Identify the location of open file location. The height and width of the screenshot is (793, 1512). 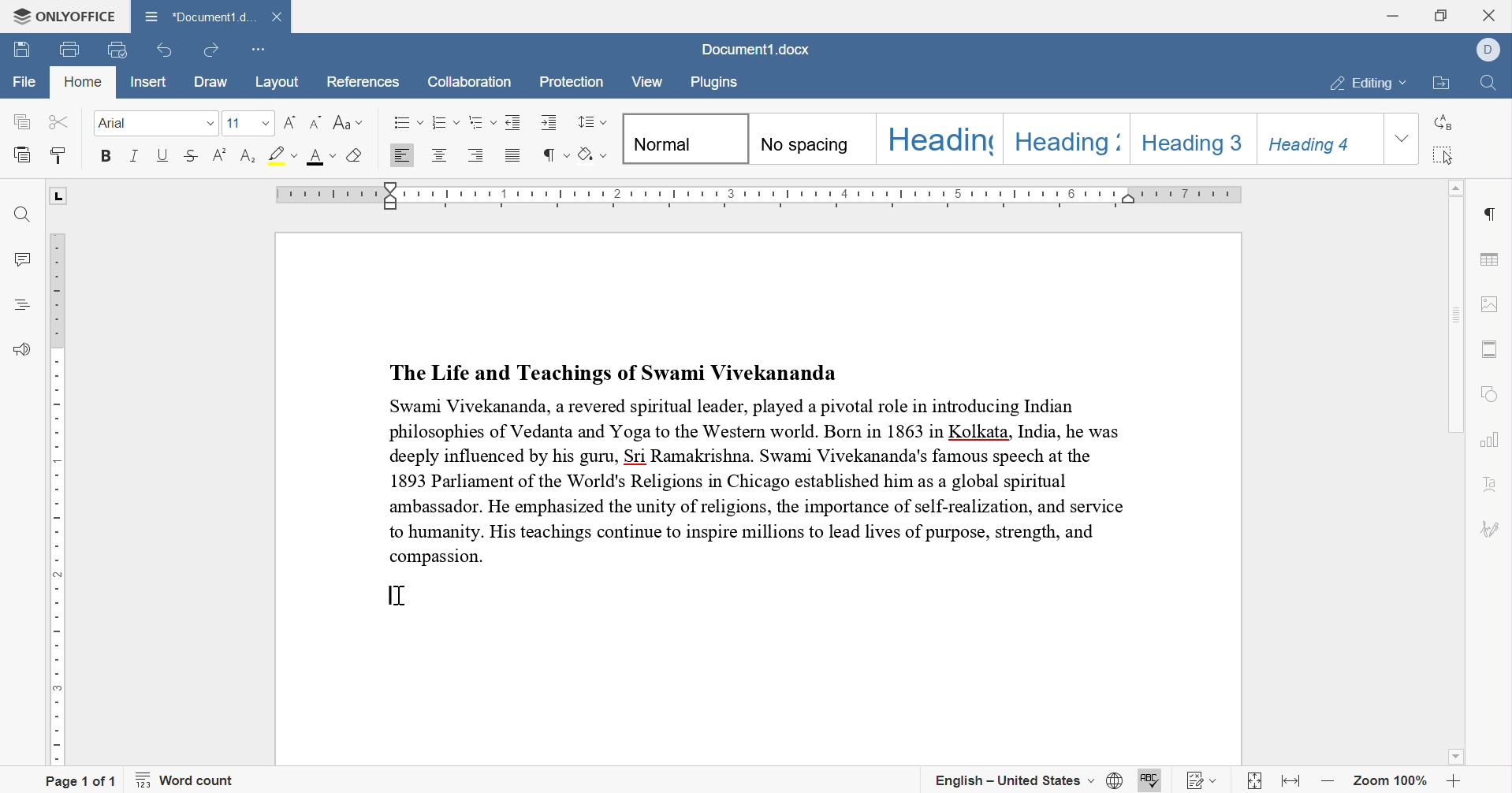
(1443, 84).